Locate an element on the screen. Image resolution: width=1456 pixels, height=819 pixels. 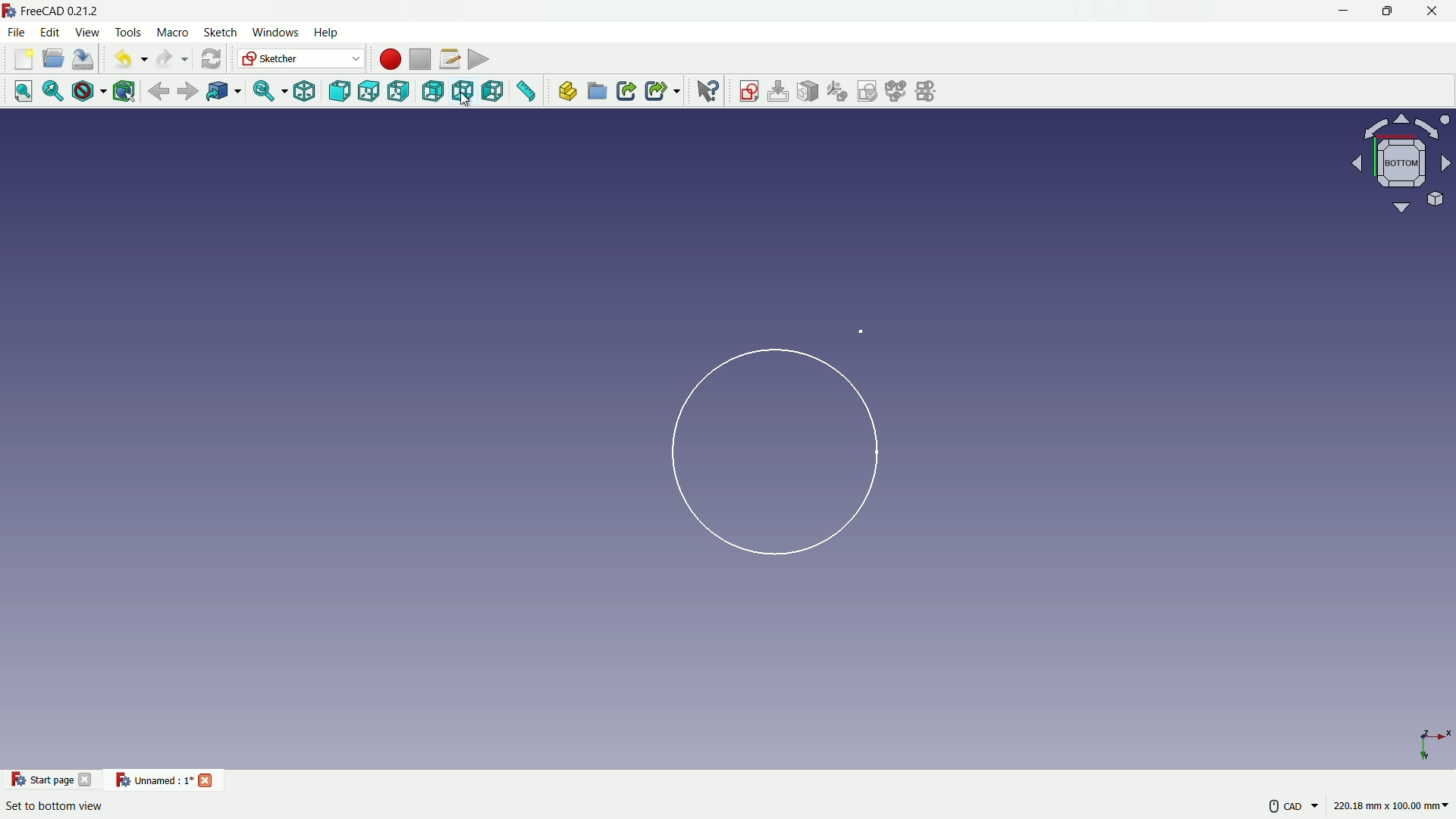
map sketch to face is located at coordinates (809, 92).